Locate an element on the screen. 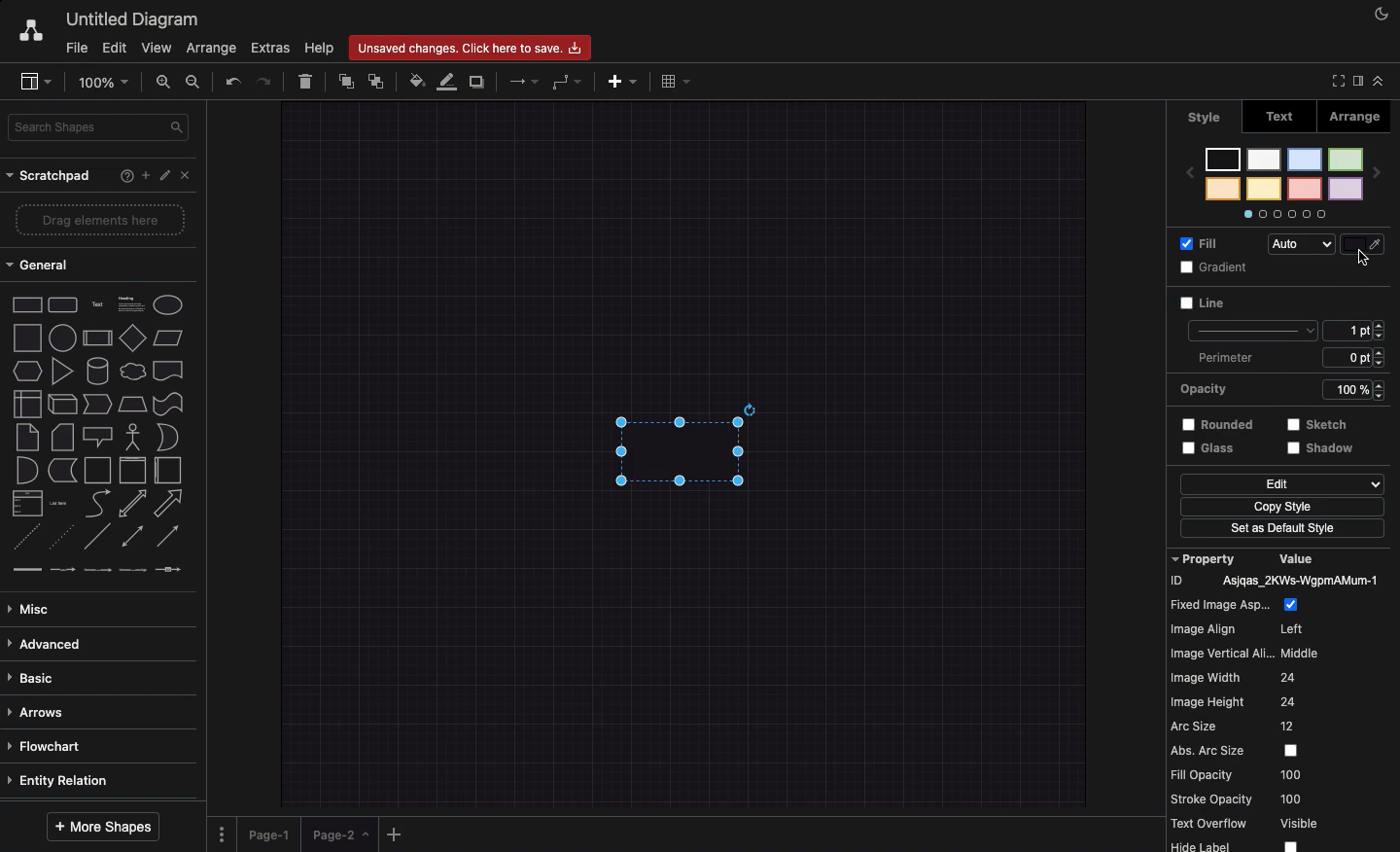  or is located at coordinates (167, 438).